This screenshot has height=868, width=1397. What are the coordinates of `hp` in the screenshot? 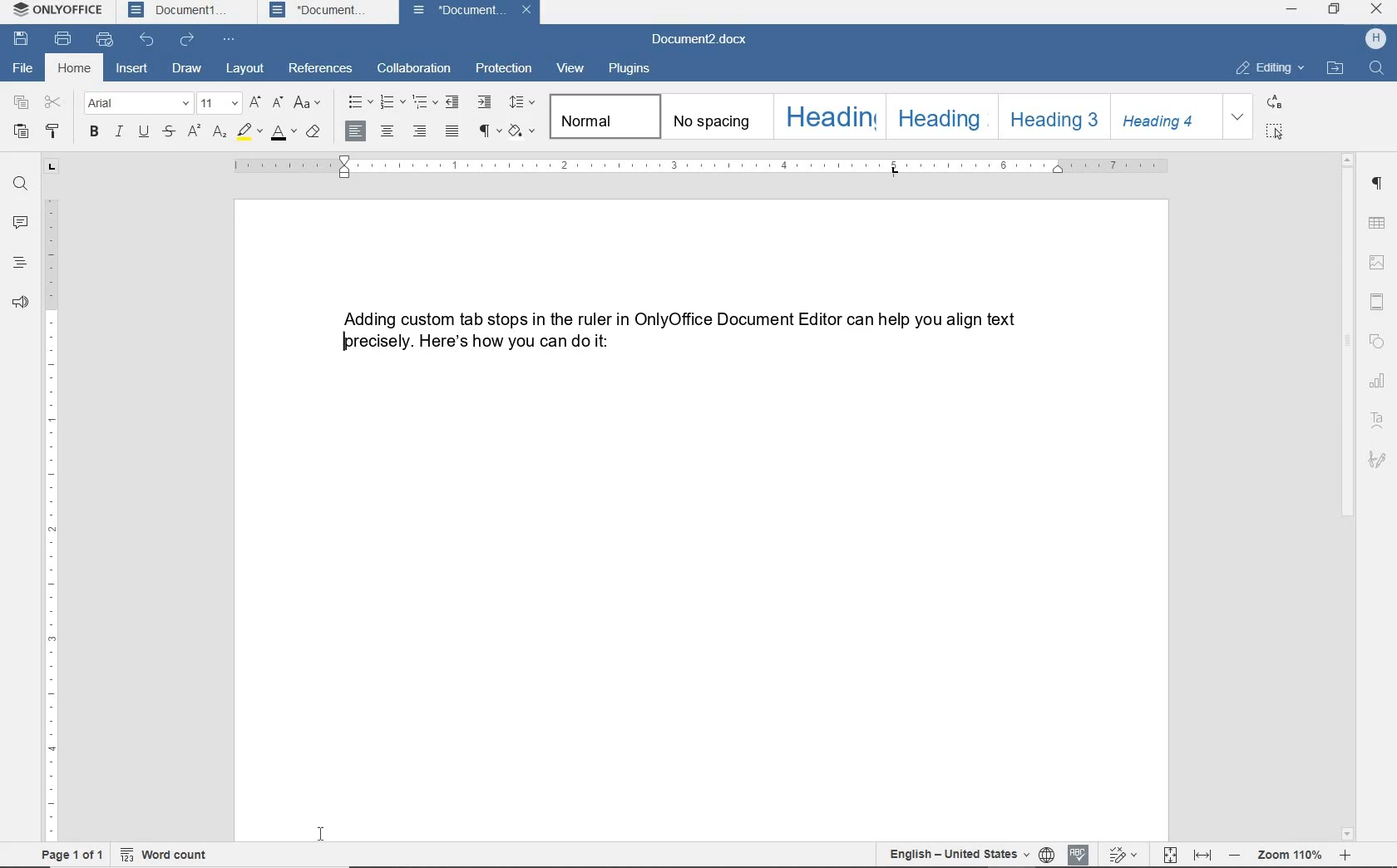 It's located at (1379, 38).